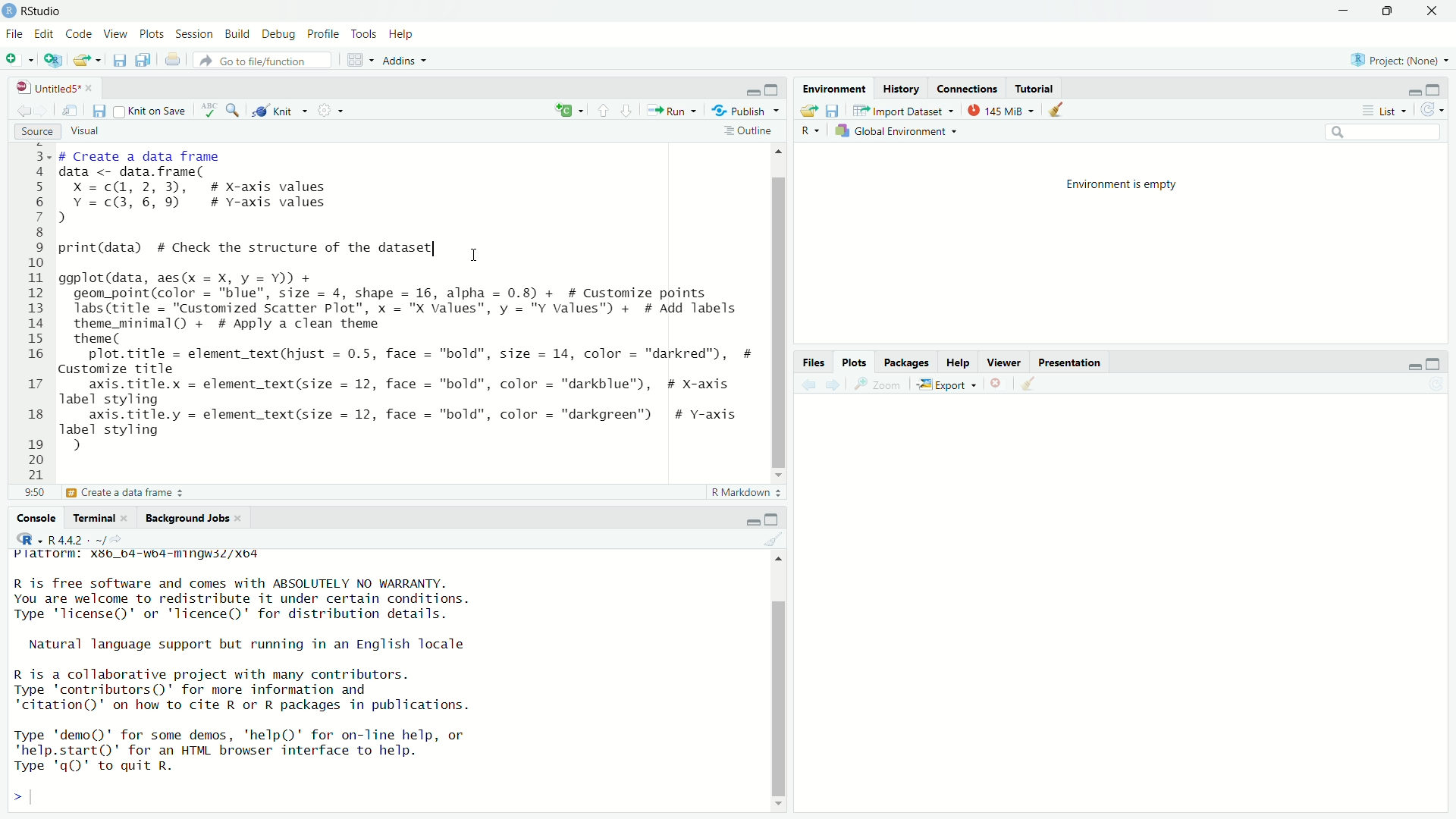 The width and height of the screenshot is (1456, 819). Describe the element at coordinates (746, 111) in the screenshot. I see `Publish` at that location.